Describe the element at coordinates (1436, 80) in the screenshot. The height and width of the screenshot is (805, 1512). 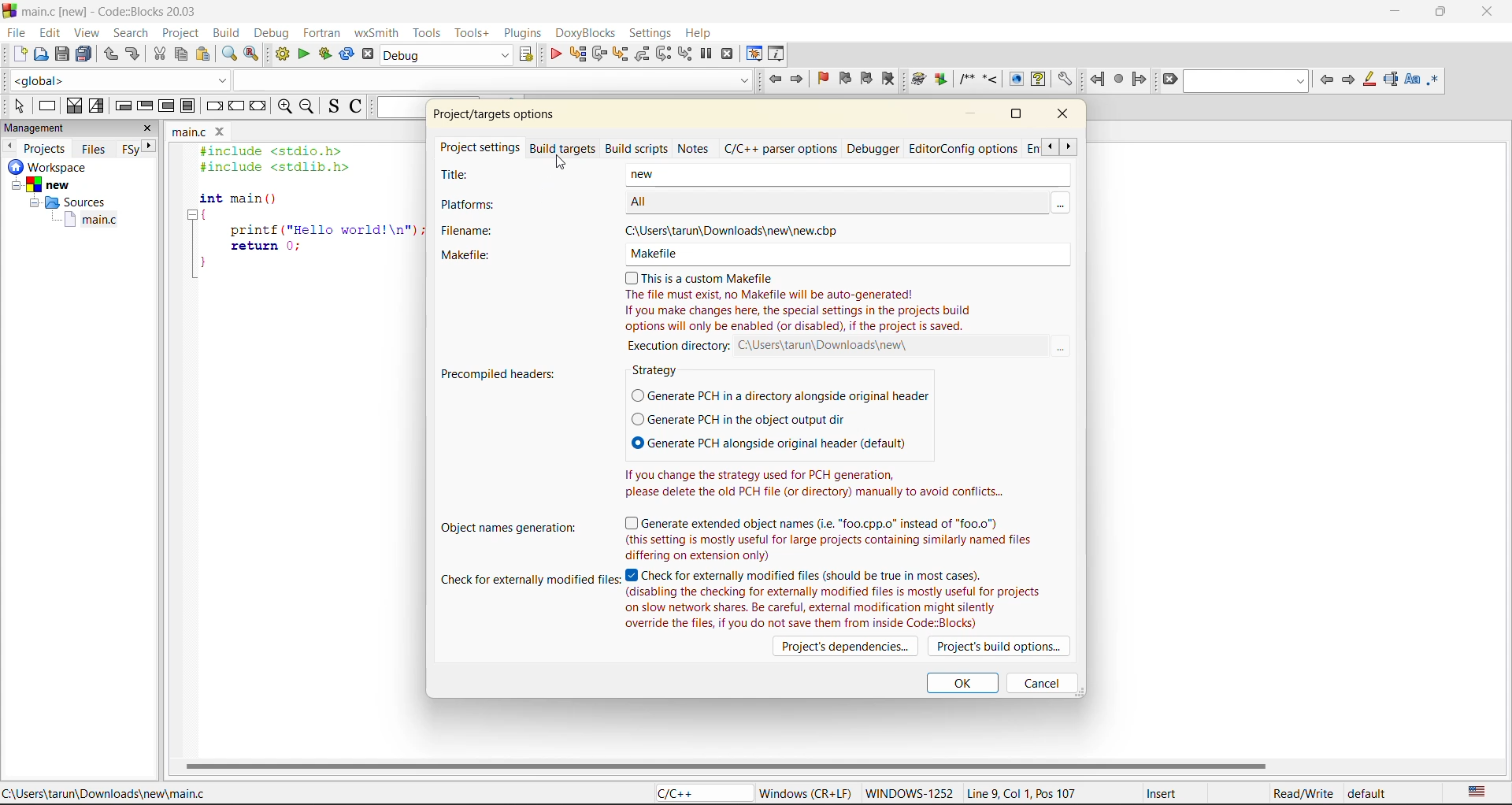
I see `use regex` at that location.